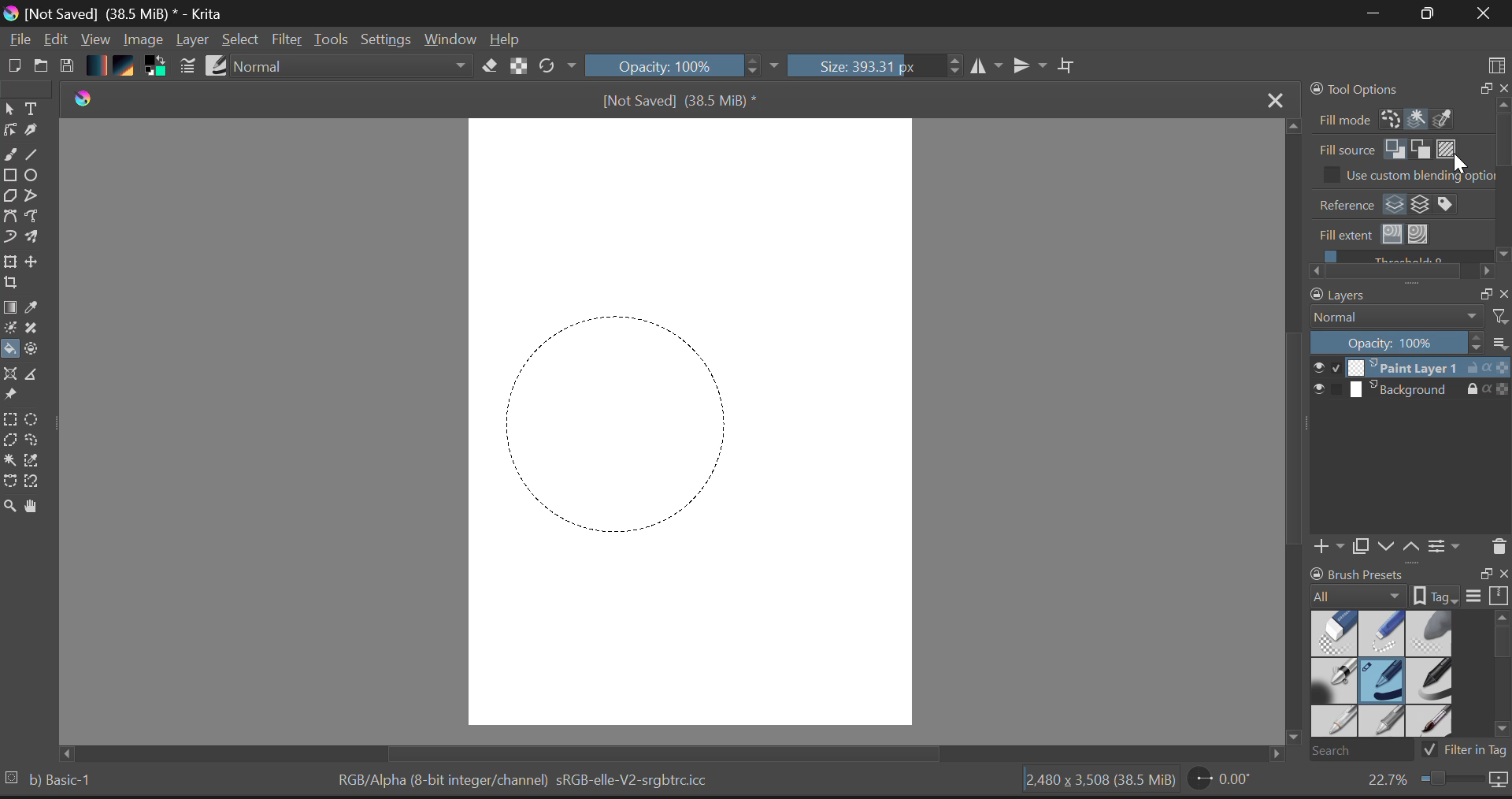 Image resolution: width=1512 pixels, height=799 pixels. What do you see at coordinates (243, 40) in the screenshot?
I see `Select` at bounding box center [243, 40].